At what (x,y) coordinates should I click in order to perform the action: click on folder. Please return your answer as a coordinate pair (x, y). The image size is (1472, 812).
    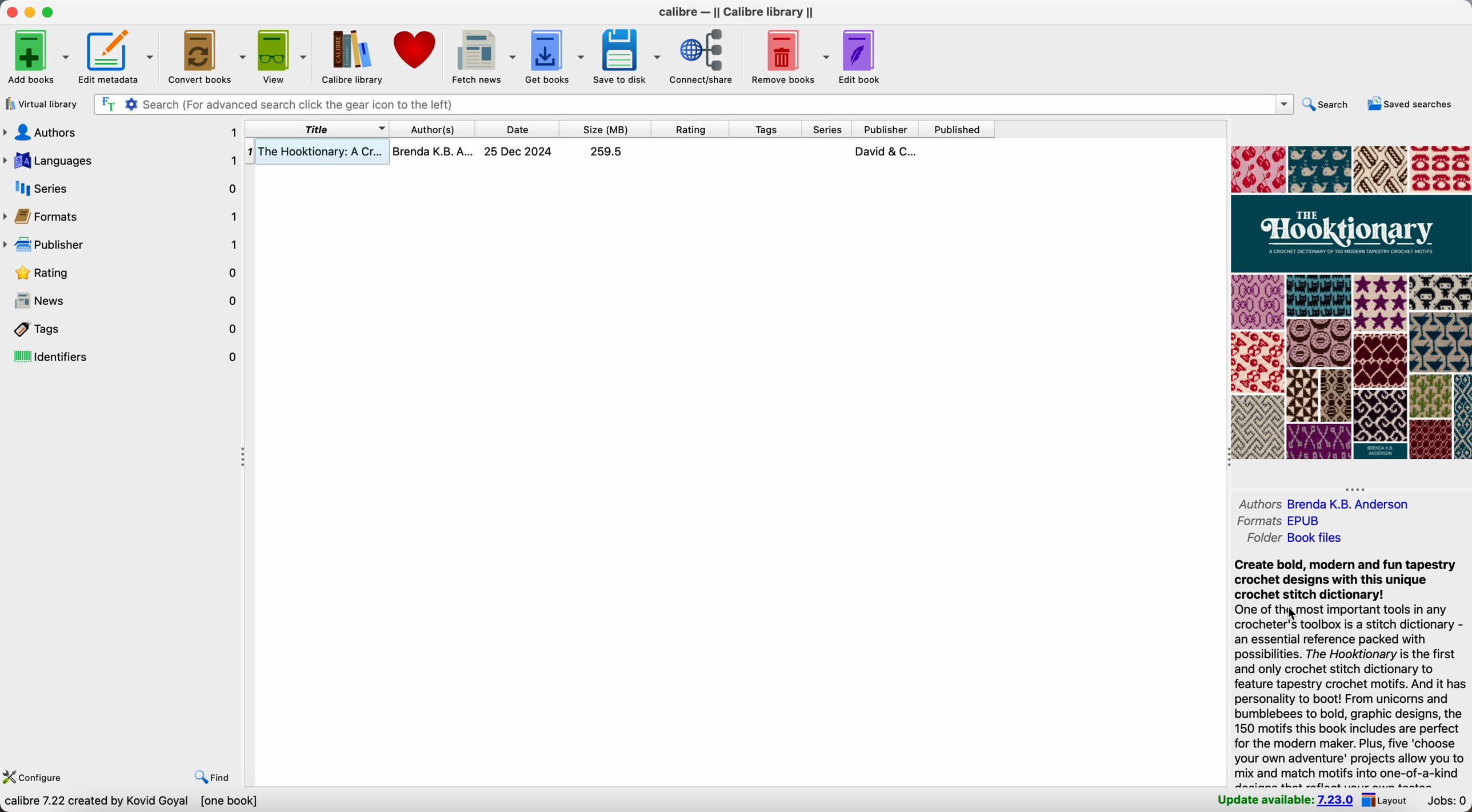
    Looking at the image, I should click on (1294, 539).